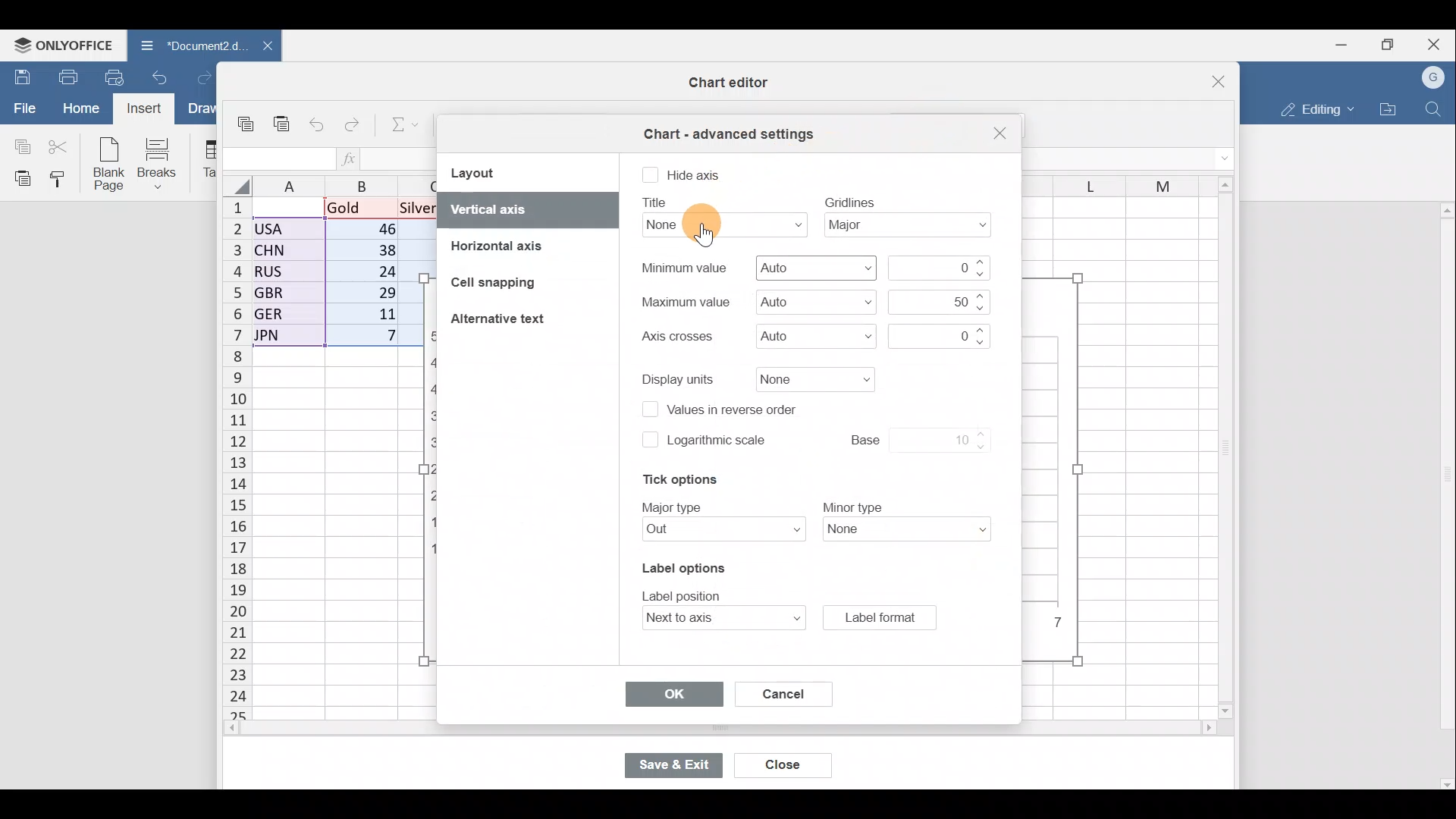 The width and height of the screenshot is (1456, 819). Describe the element at coordinates (1434, 76) in the screenshot. I see `Account name` at that location.